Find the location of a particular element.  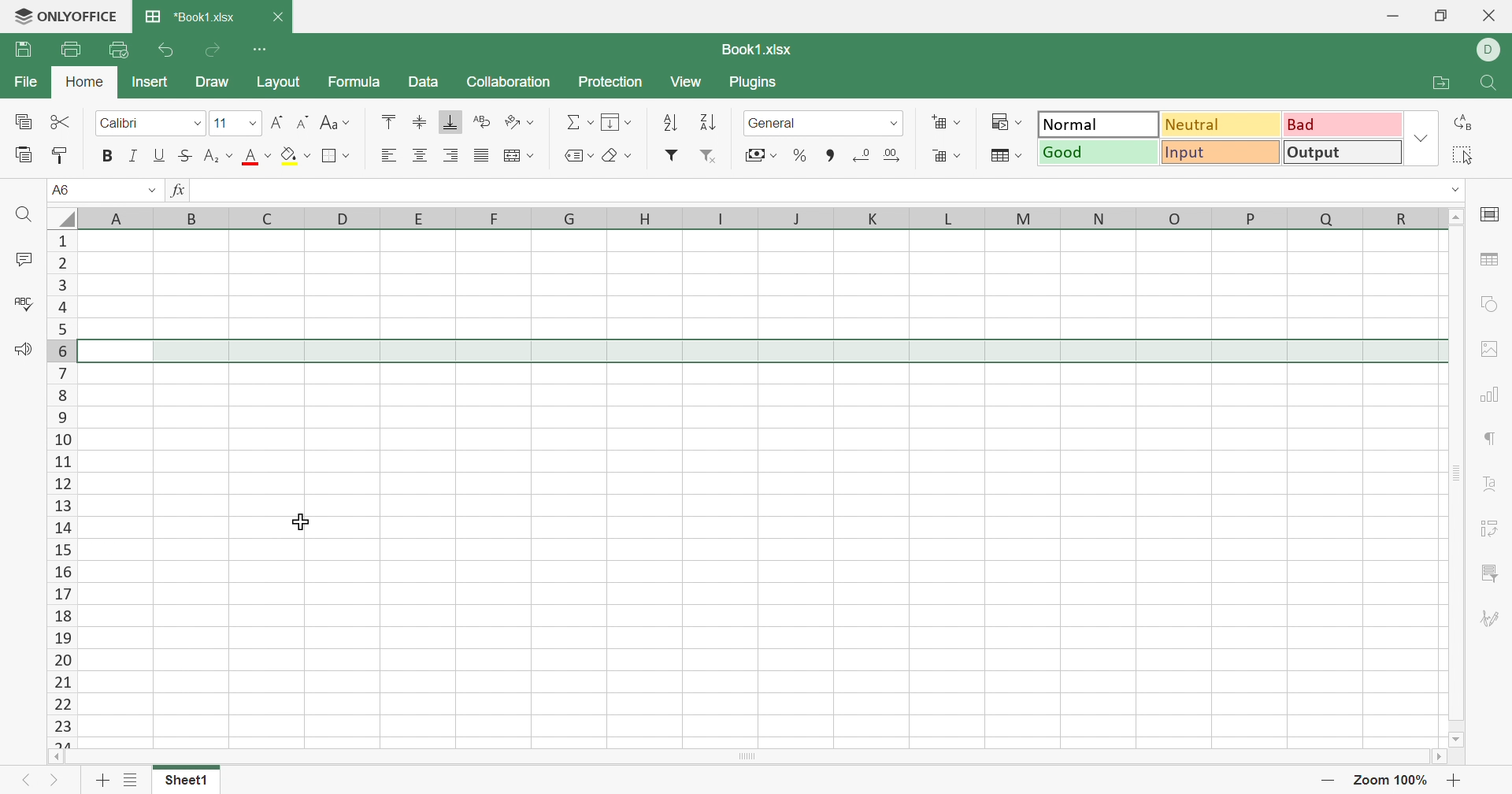

Scroll Bar is located at coordinates (1456, 480).